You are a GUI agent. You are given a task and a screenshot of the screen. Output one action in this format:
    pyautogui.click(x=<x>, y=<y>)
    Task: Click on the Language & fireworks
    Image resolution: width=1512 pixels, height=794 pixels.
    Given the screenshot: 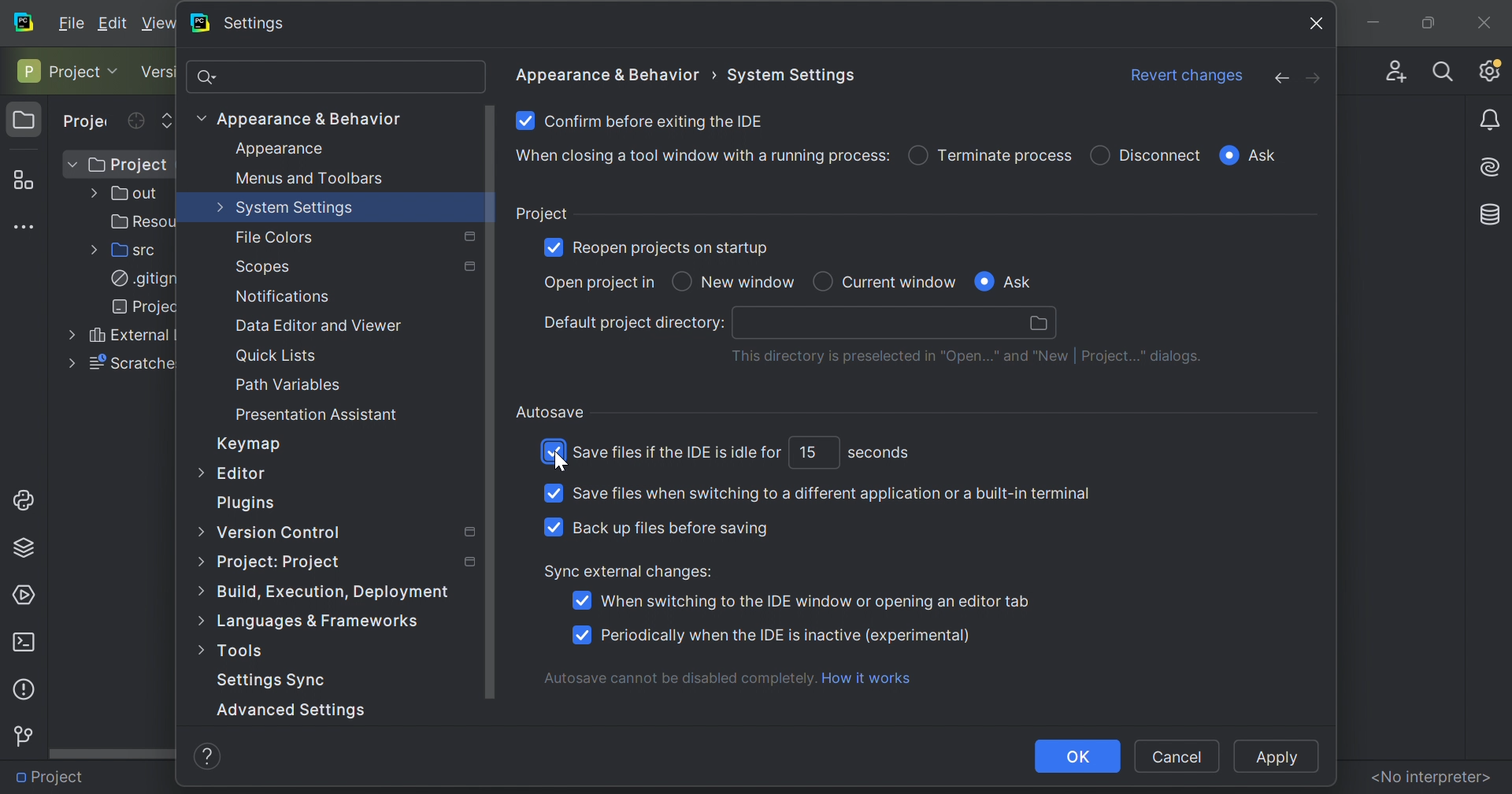 What is the action you would take?
    pyautogui.click(x=333, y=621)
    